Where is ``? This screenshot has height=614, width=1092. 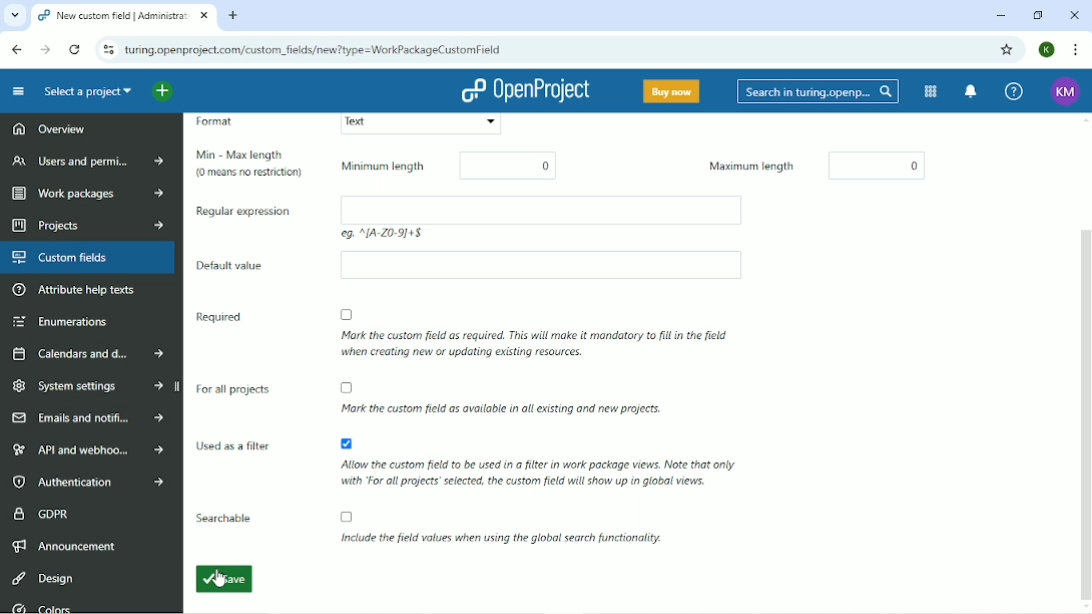
 is located at coordinates (538, 268).